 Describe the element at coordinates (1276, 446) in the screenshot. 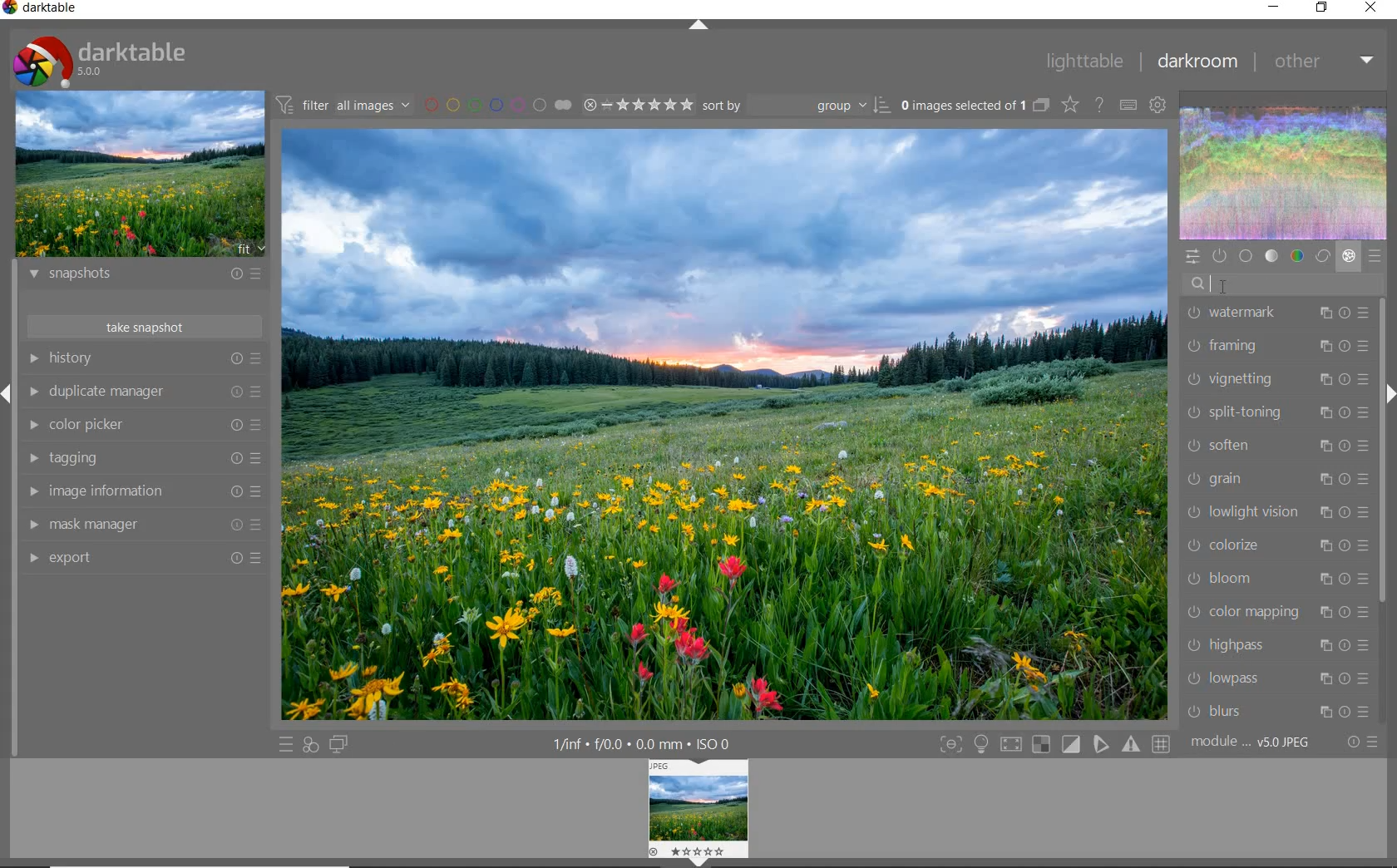

I see `soften` at that location.